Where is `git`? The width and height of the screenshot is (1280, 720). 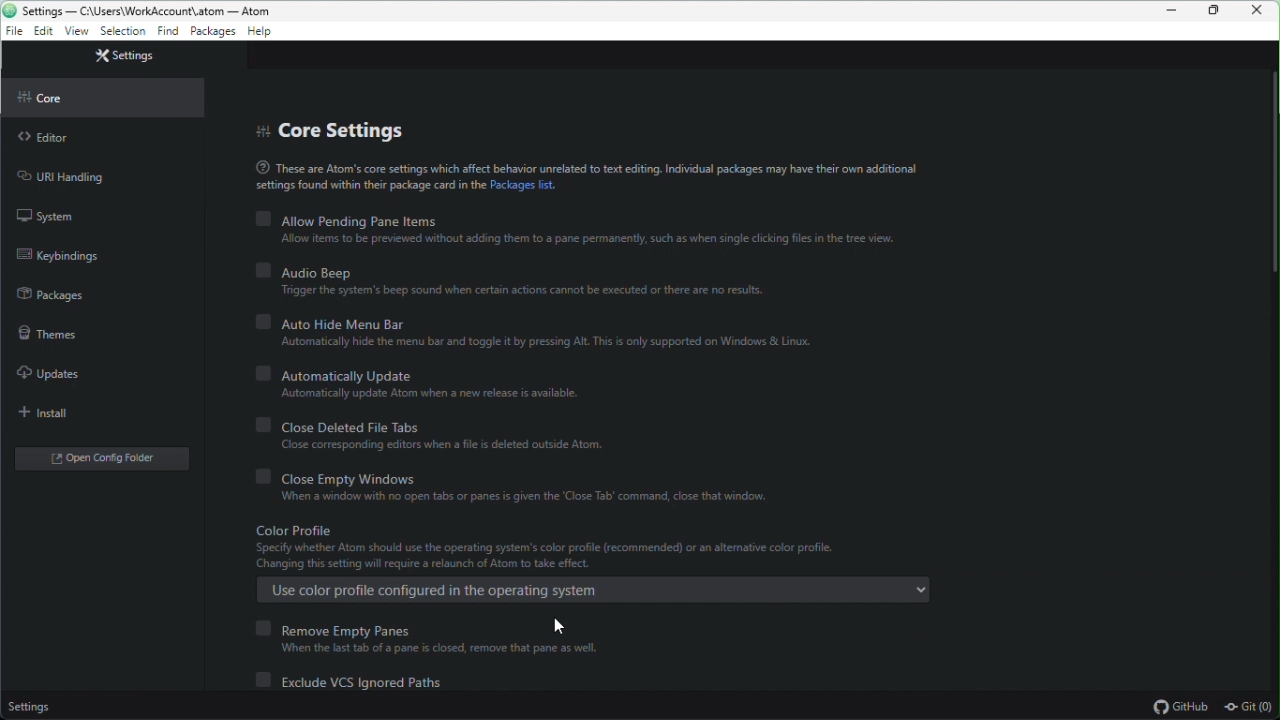 git is located at coordinates (1252, 708).